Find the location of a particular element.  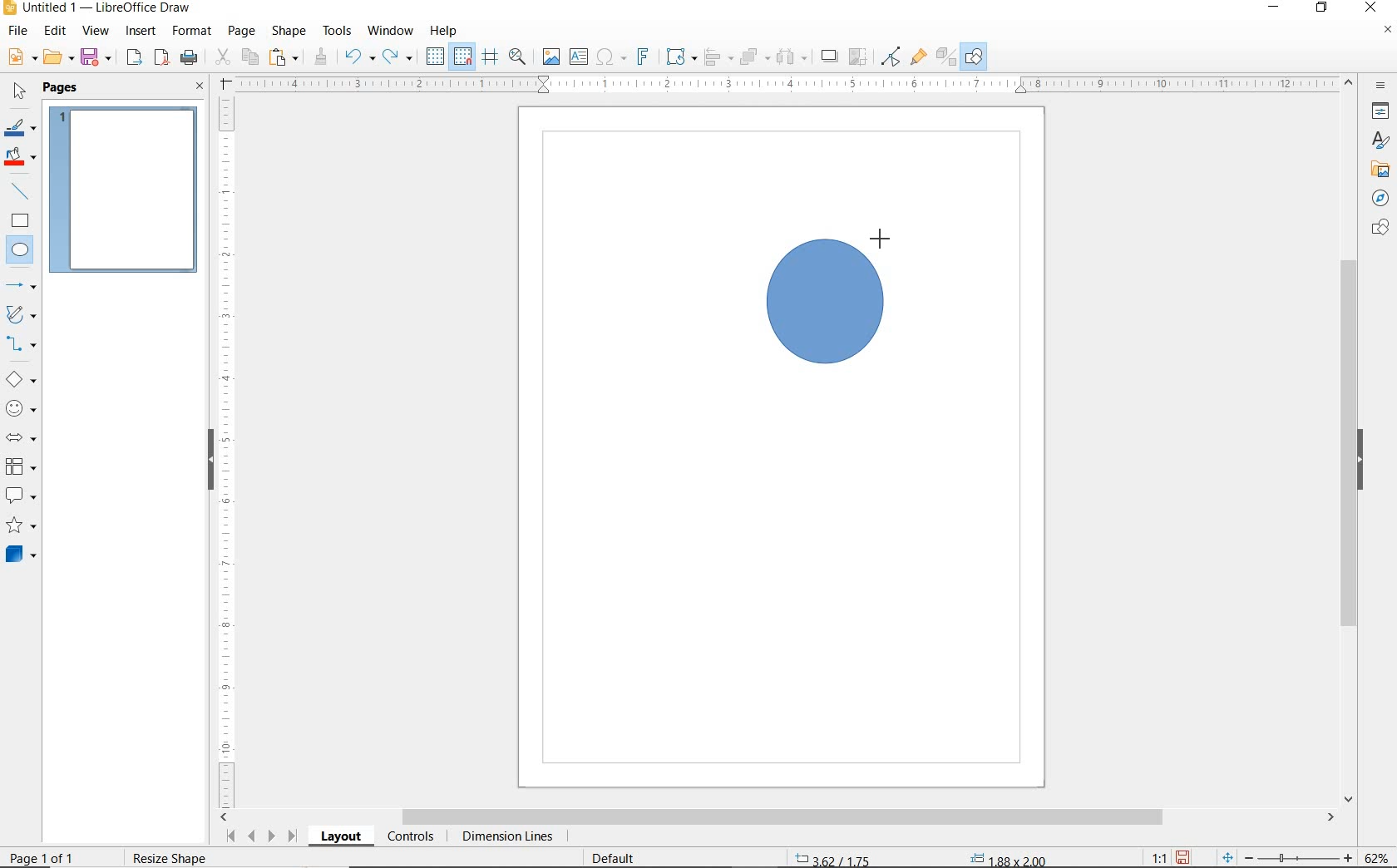

STYLES is located at coordinates (1376, 143).